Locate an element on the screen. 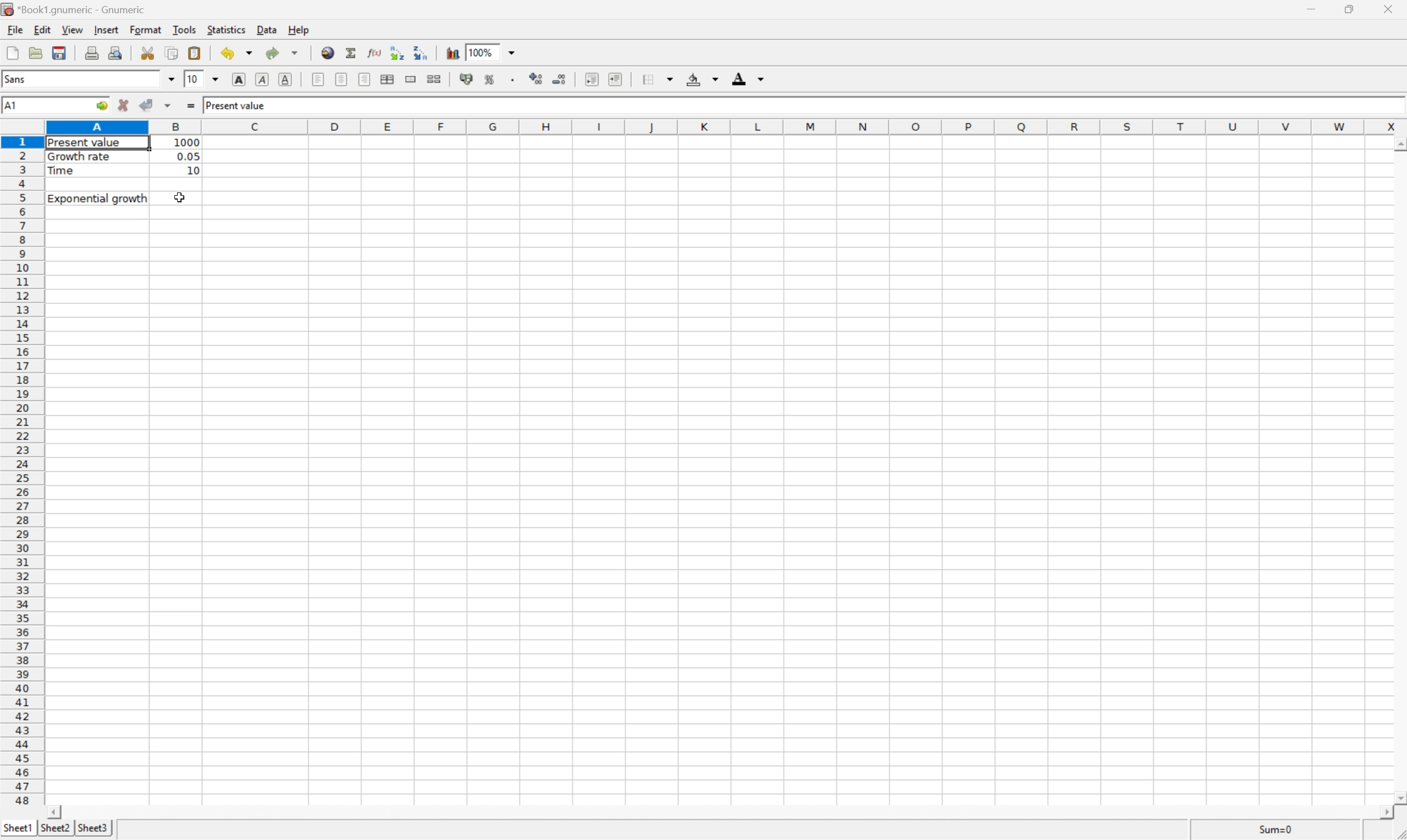  Enter formula is located at coordinates (191, 106).